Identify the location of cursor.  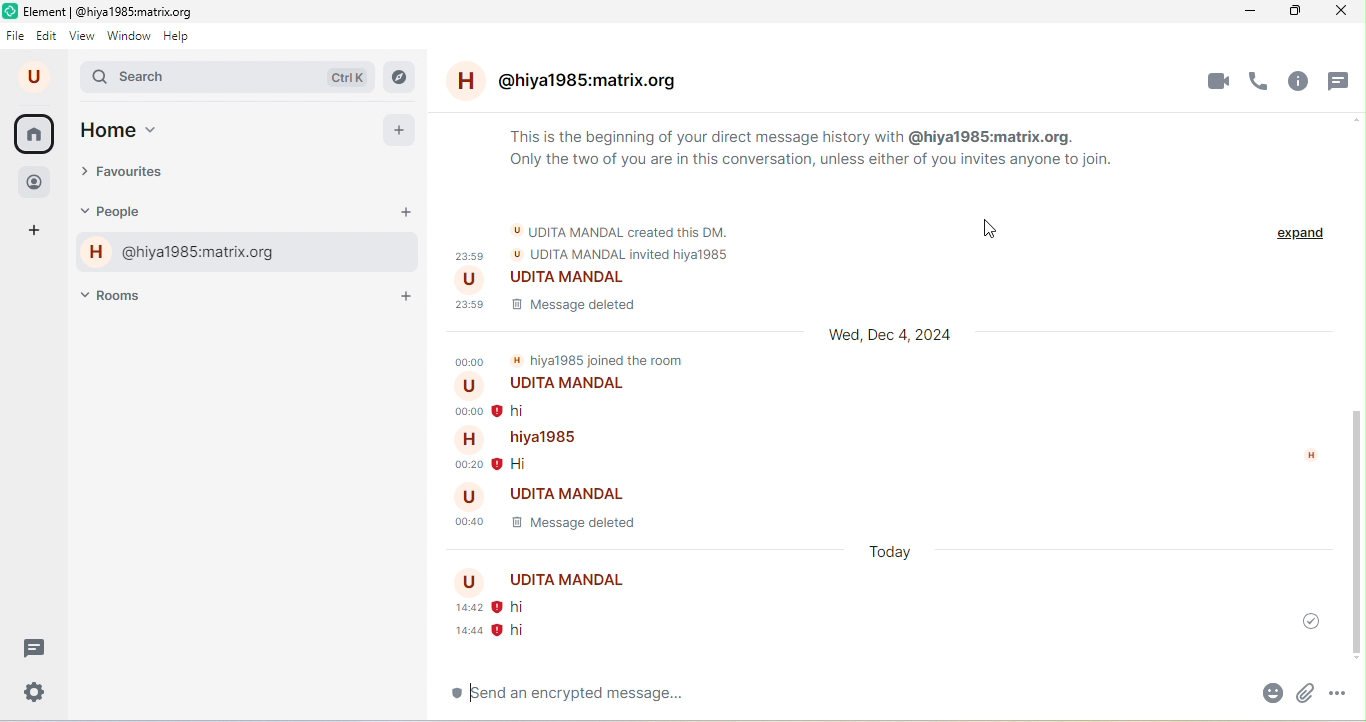
(991, 230).